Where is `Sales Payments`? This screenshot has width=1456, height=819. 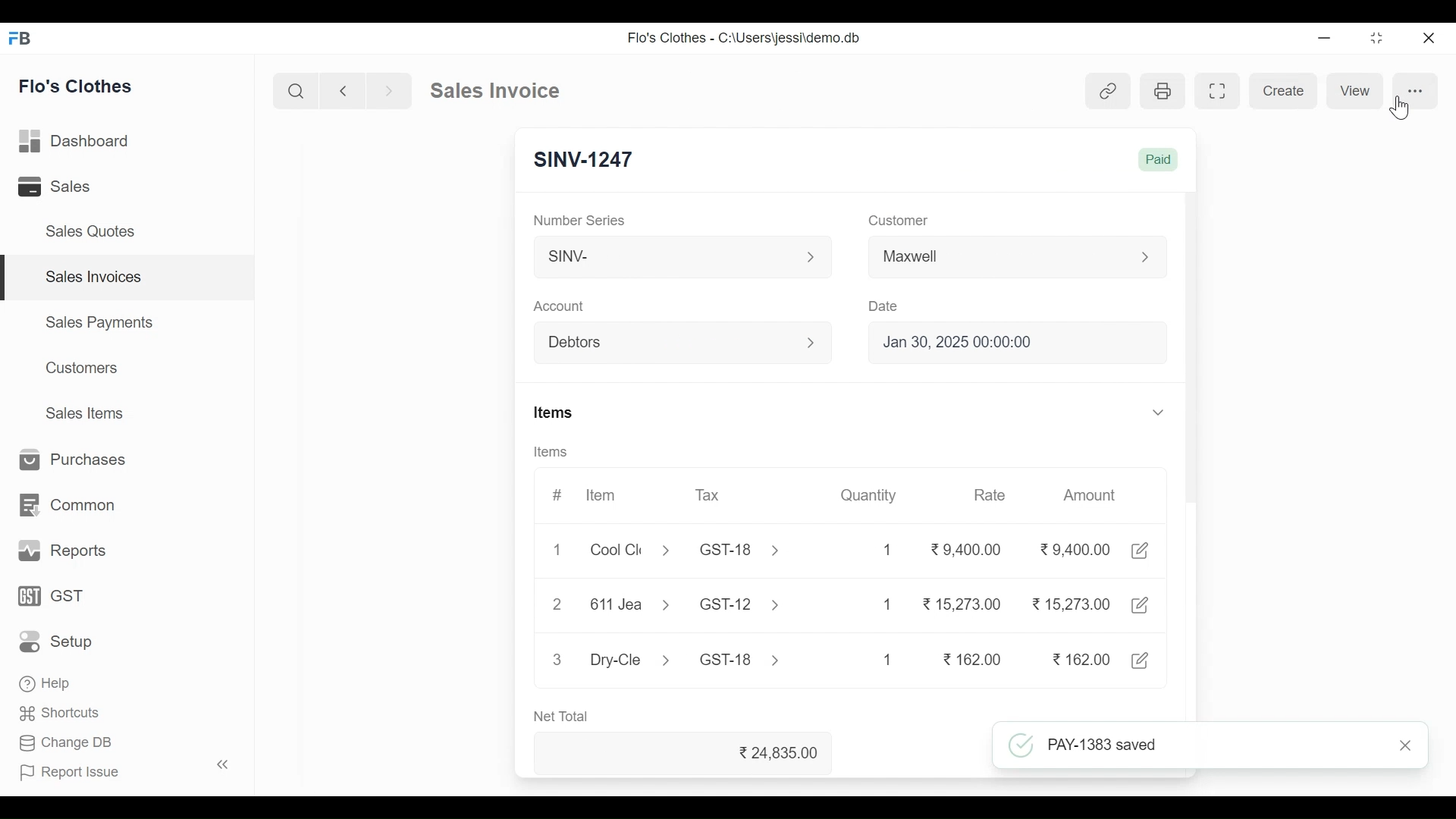 Sales Payments is located at coordinates (100, 322).